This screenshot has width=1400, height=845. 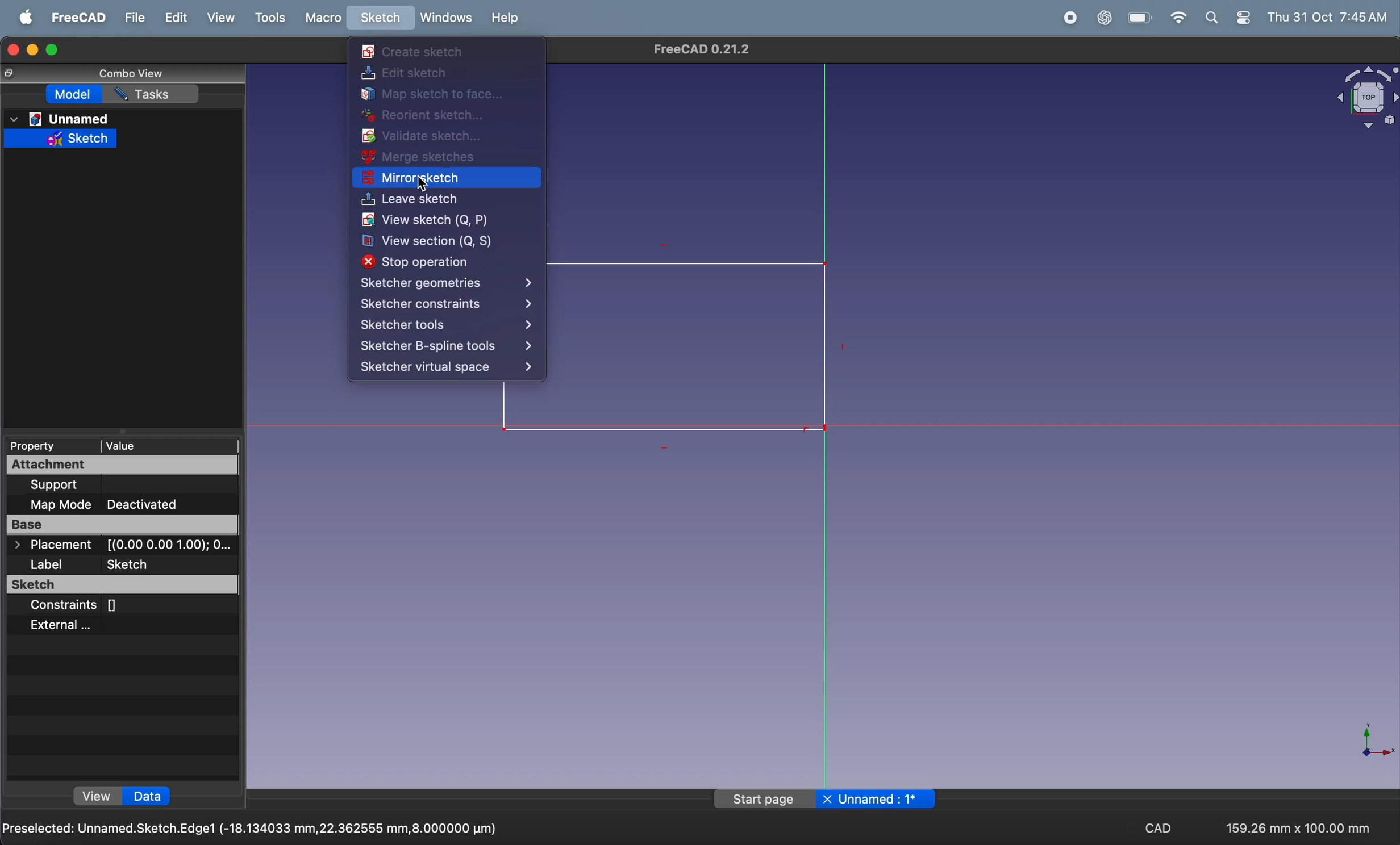 What do you see at coordinates (80, 16) in the screenshot?
I see `freecad` at bounding box center [80, 16].